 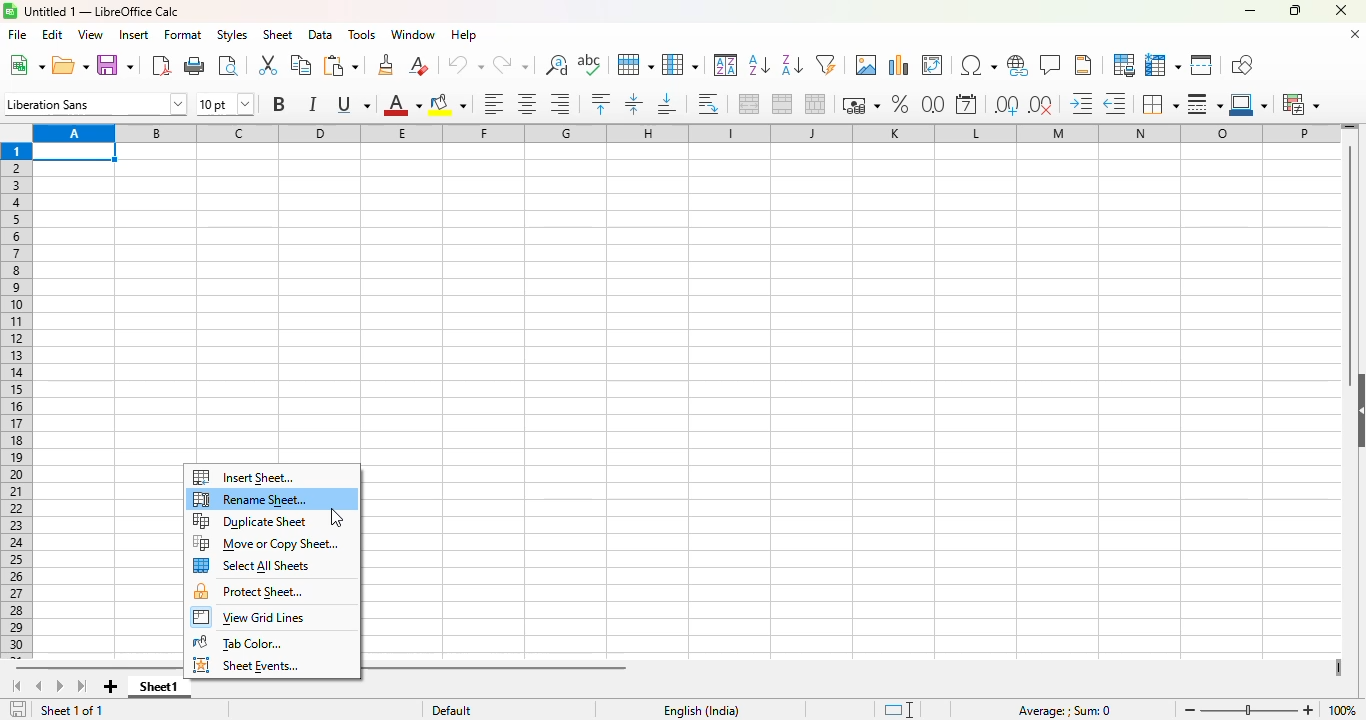 What do you see at coordinates (978, 66) in the screenshot?
I see `insert special characters` at bounding box center [978, 66].